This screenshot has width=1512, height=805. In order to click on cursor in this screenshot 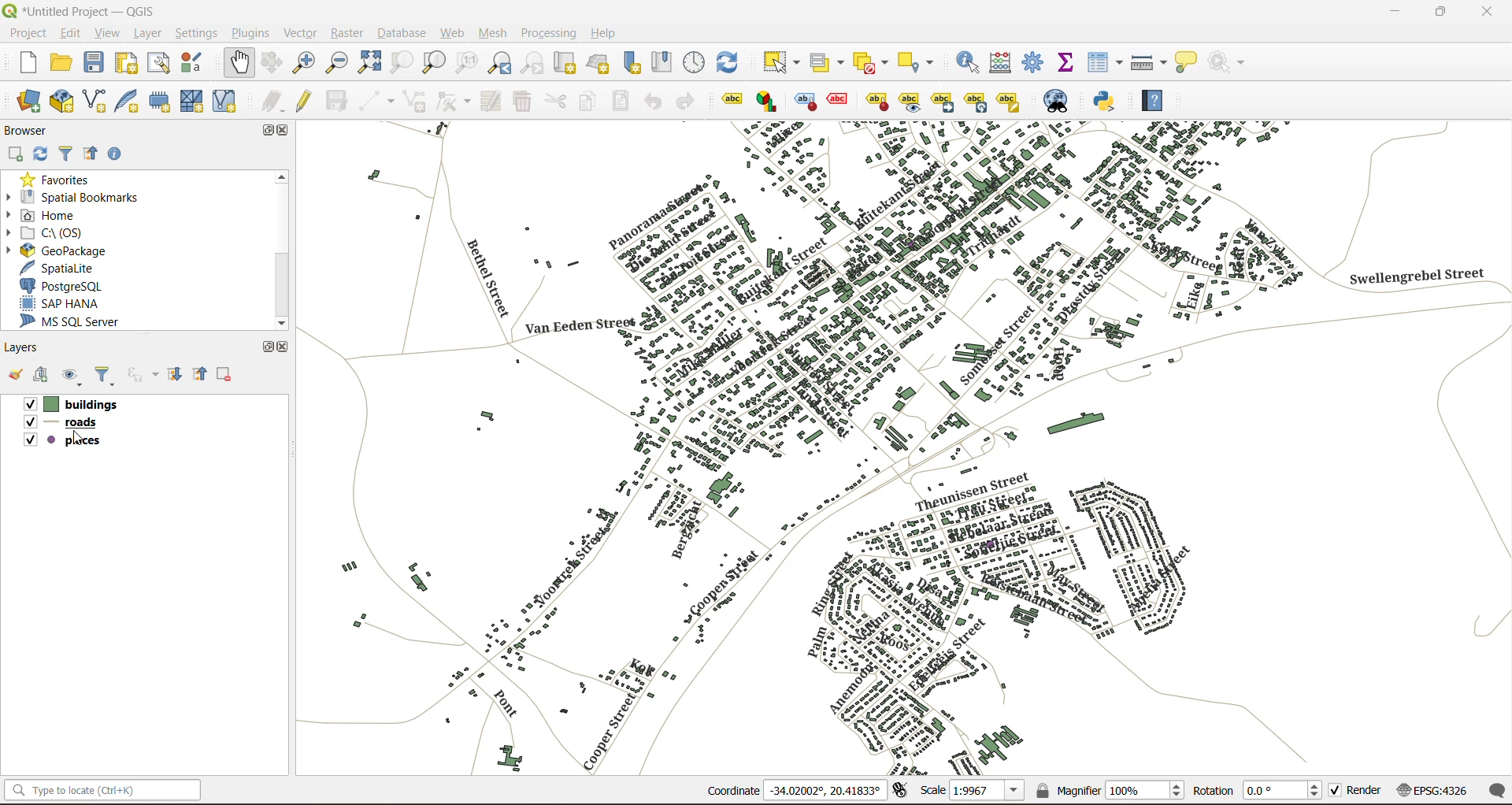, I will do `click(82, 438)`.